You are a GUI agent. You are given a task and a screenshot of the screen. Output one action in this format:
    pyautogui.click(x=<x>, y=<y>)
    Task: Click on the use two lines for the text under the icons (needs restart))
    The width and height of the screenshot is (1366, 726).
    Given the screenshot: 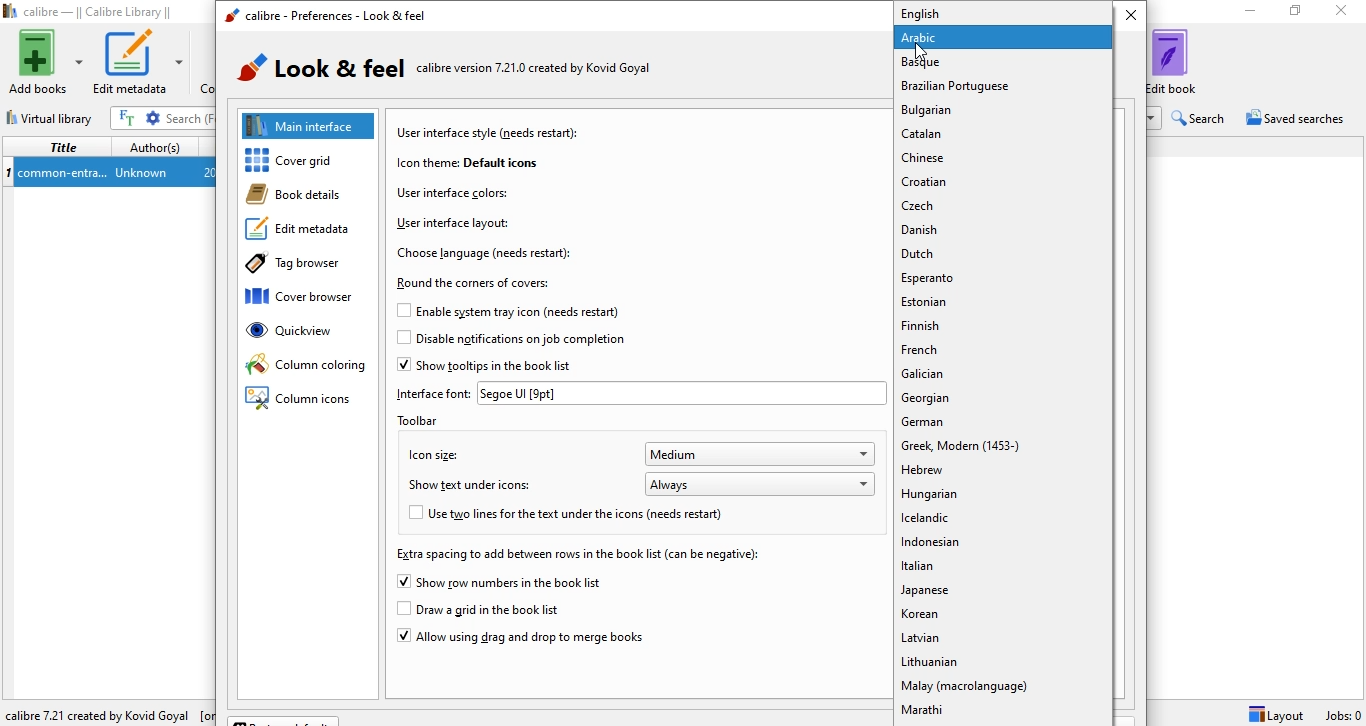 What is the action you would take?
    pyautogui.click(x=582, y=516)
    